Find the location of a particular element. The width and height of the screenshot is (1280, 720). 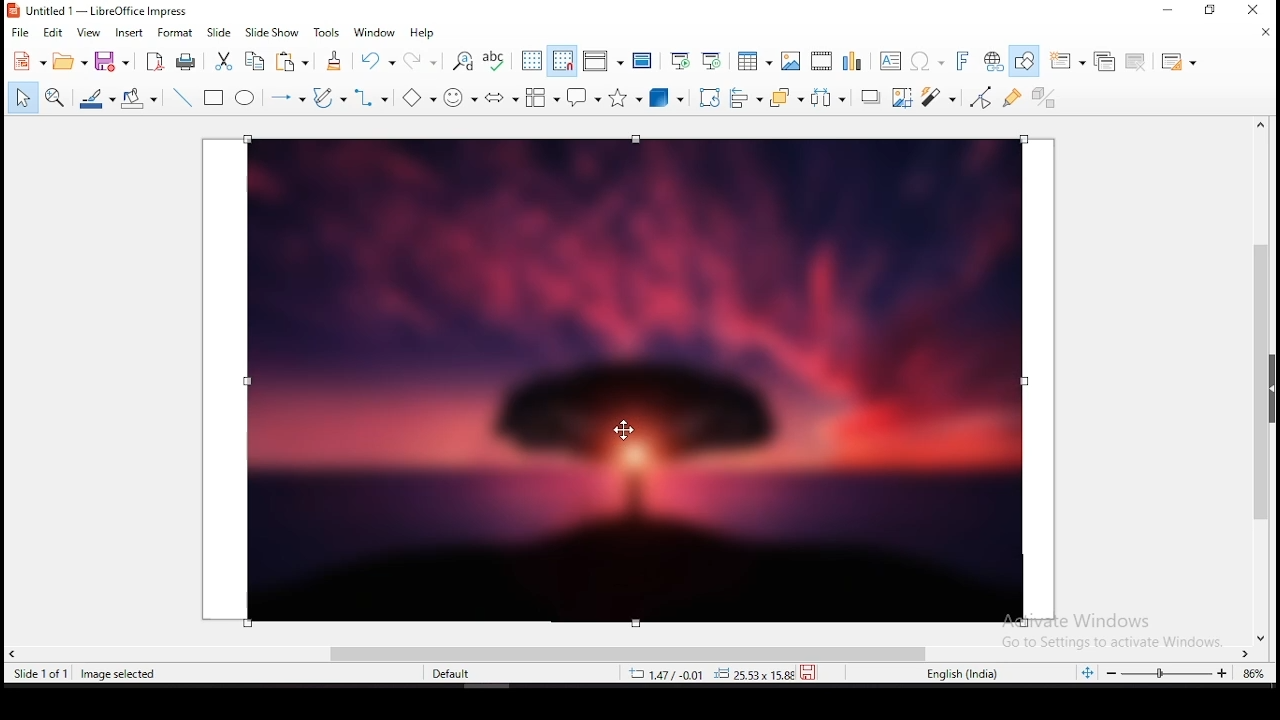

0.00x0.00 is located at coordinates (749, 674).